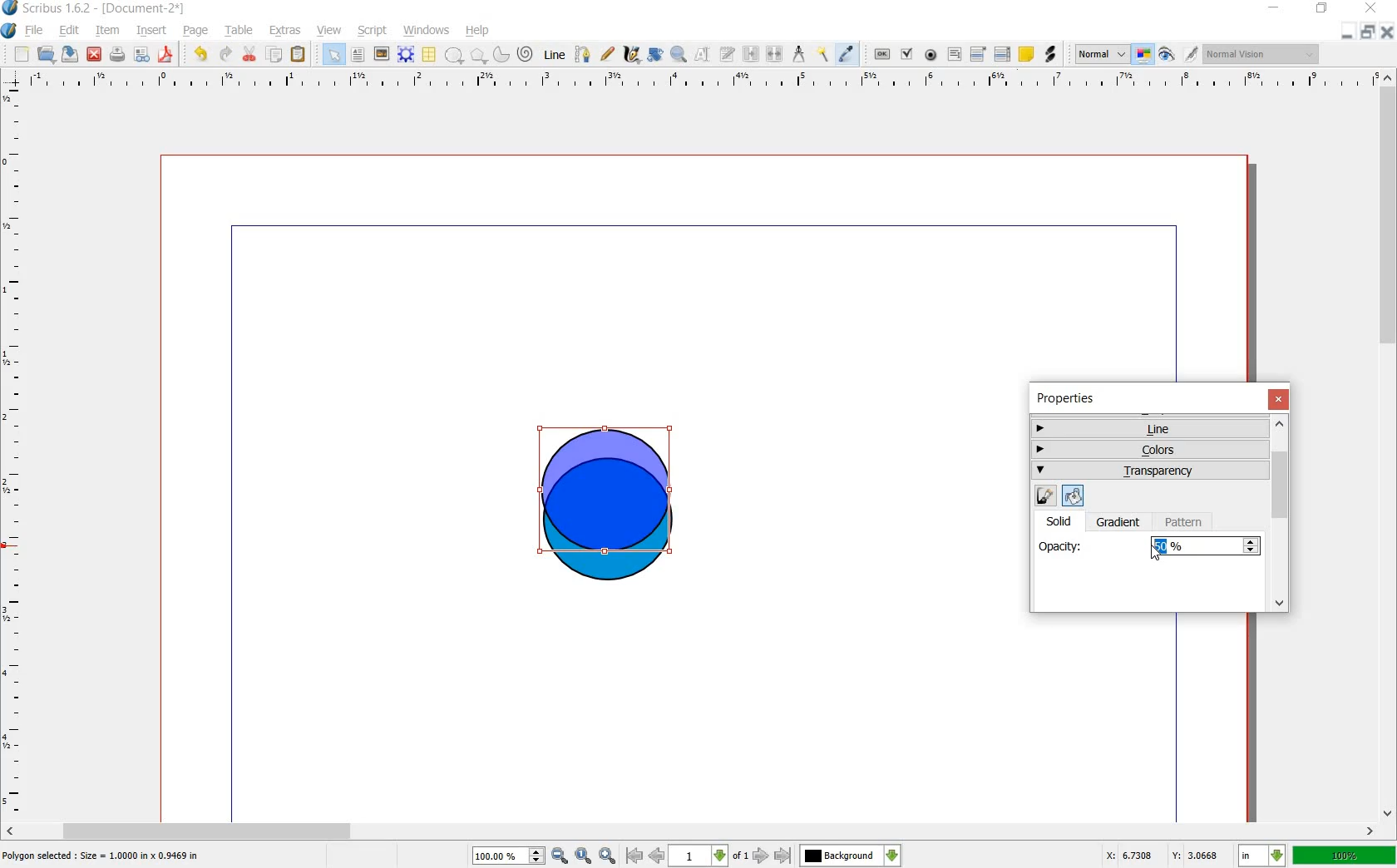 The image size is (1397, 868). I want to click on cursor, so click(1158, 556).